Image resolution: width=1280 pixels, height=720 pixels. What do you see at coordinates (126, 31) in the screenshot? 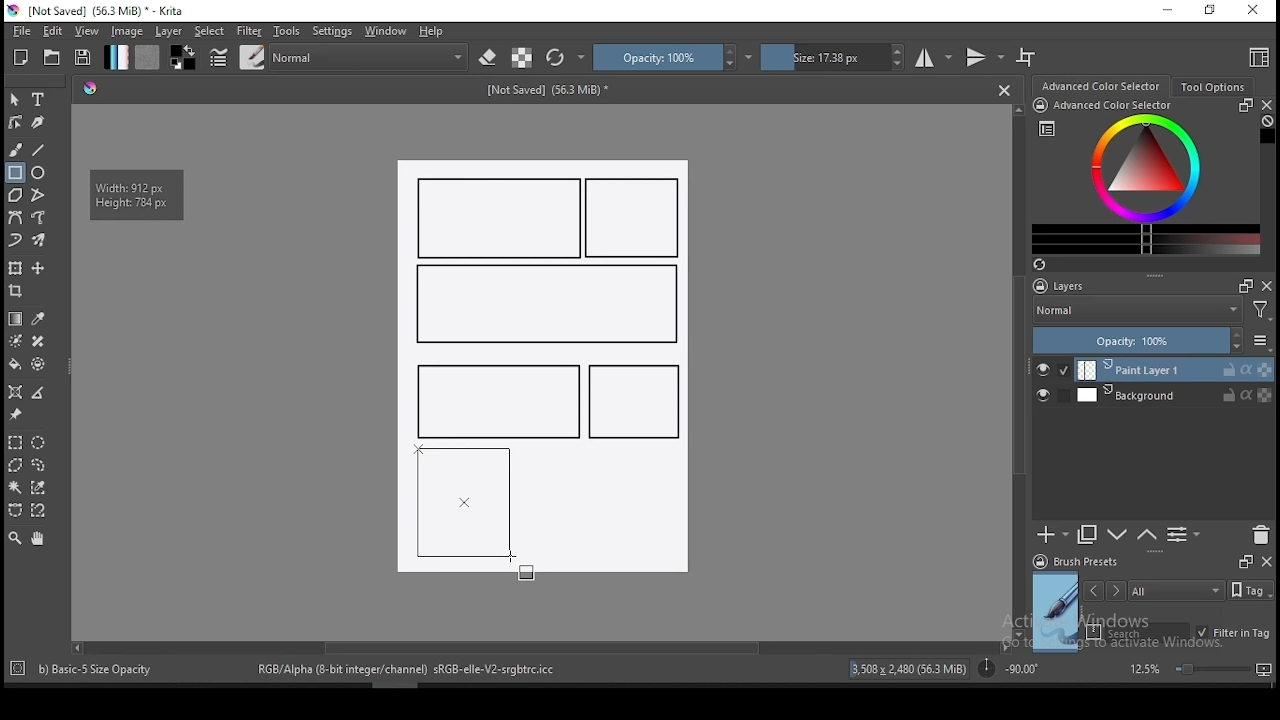
I see `image` at bounding box center [126, 31].